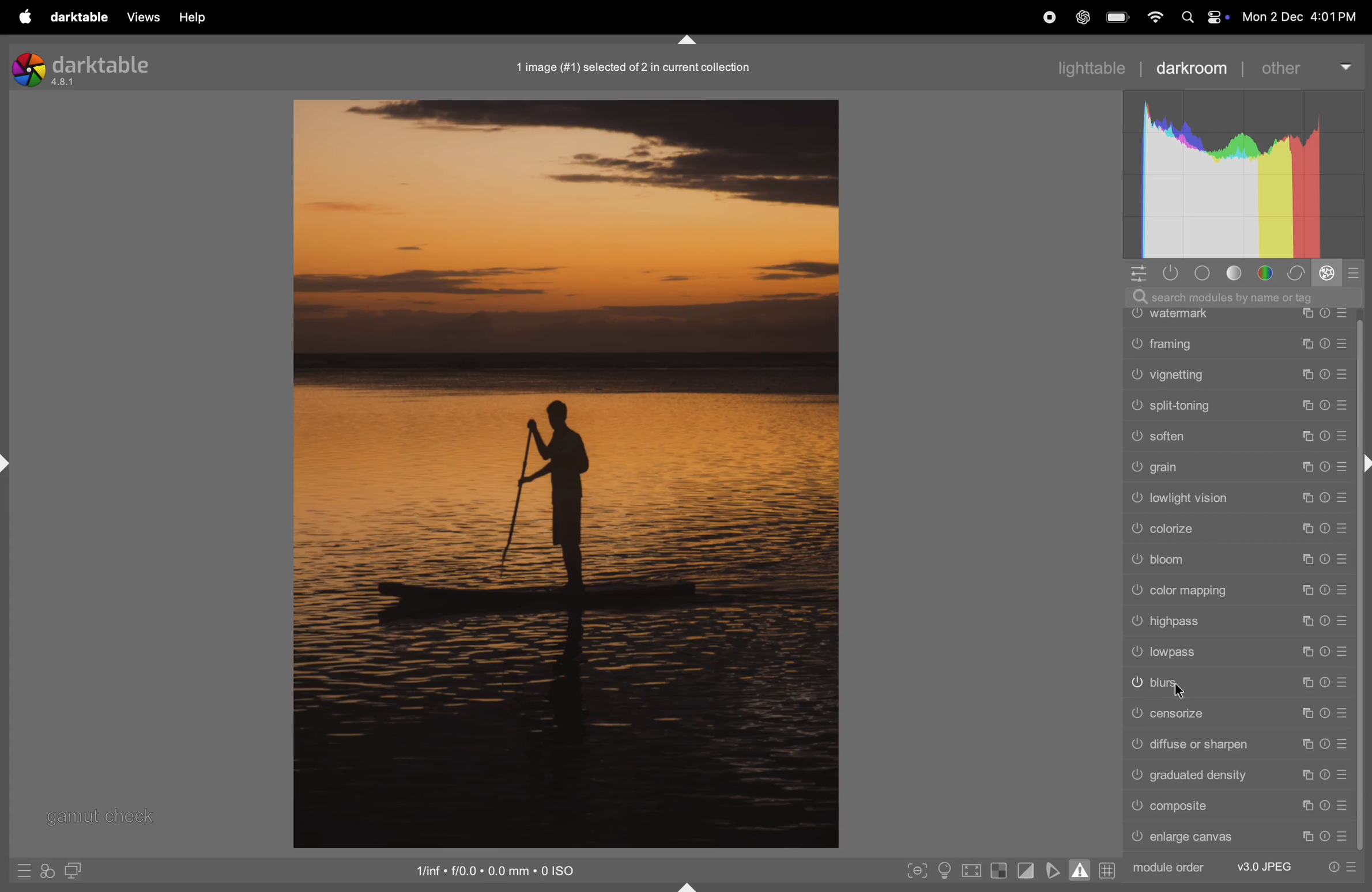 This screenshot has width=1372, height=892. What do you see at coordinates (1051, 870) in the screenshot?
I see `toggle soft proffing` at bounding box center [1051, 870].